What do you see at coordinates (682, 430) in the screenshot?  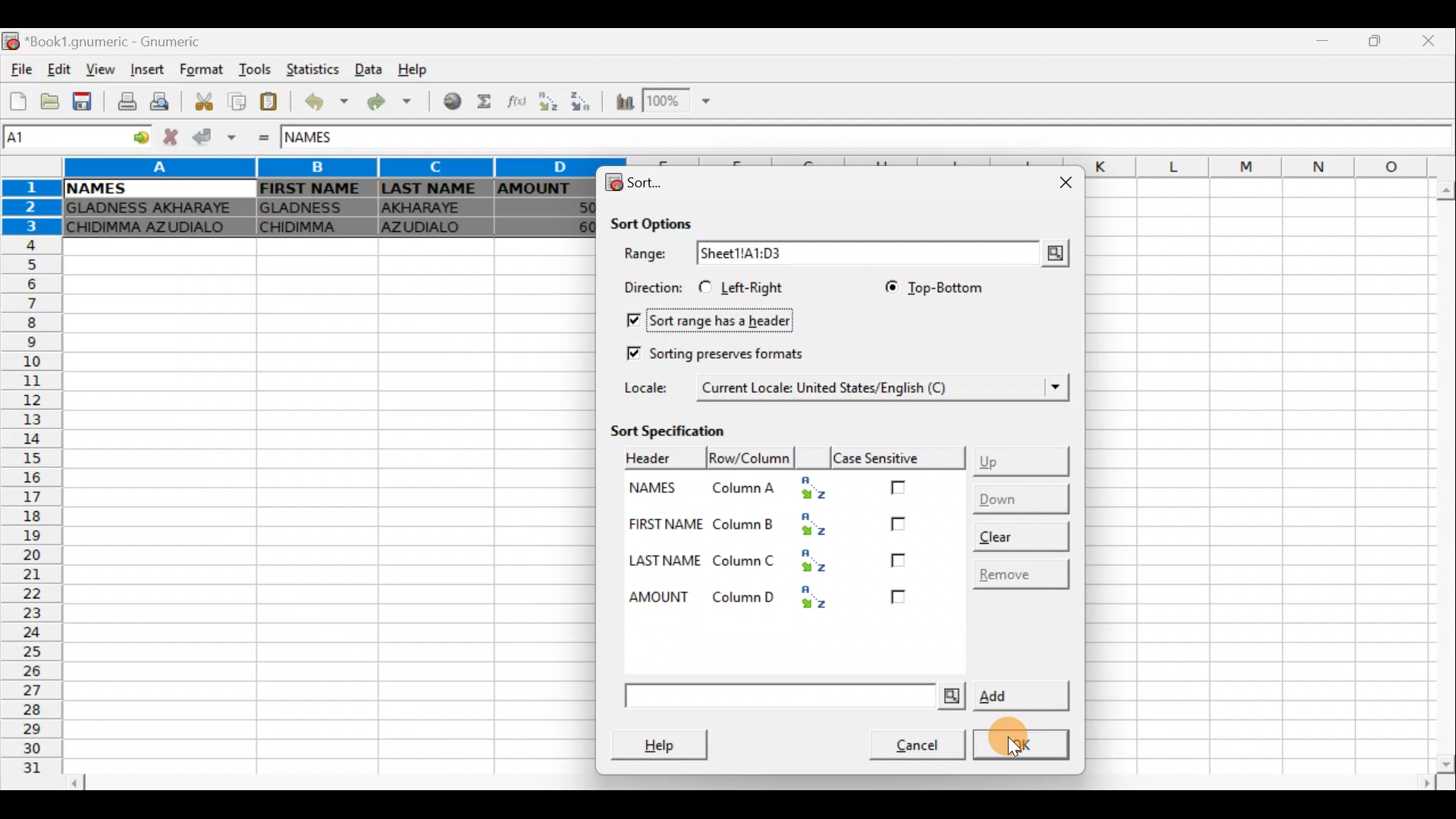 I see `Sort specification` at bounding box center [682, 430].